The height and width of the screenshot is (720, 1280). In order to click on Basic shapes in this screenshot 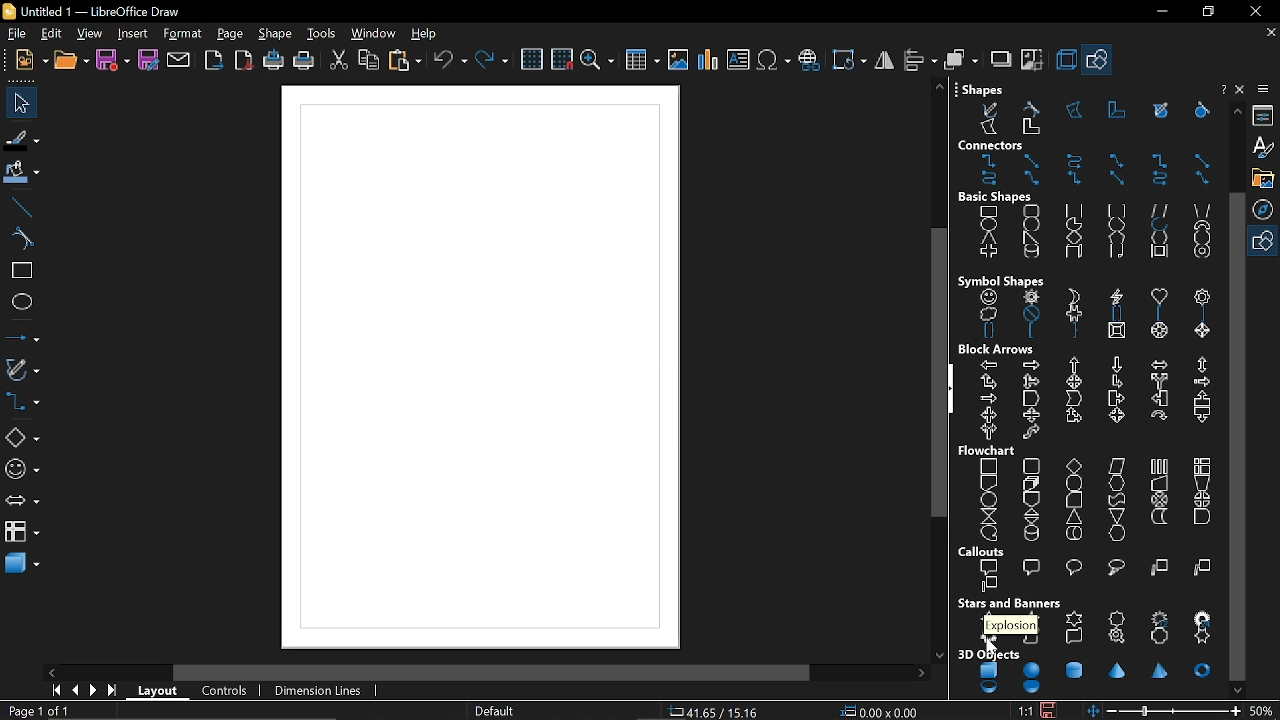, I will do `click(1086, 226)`.